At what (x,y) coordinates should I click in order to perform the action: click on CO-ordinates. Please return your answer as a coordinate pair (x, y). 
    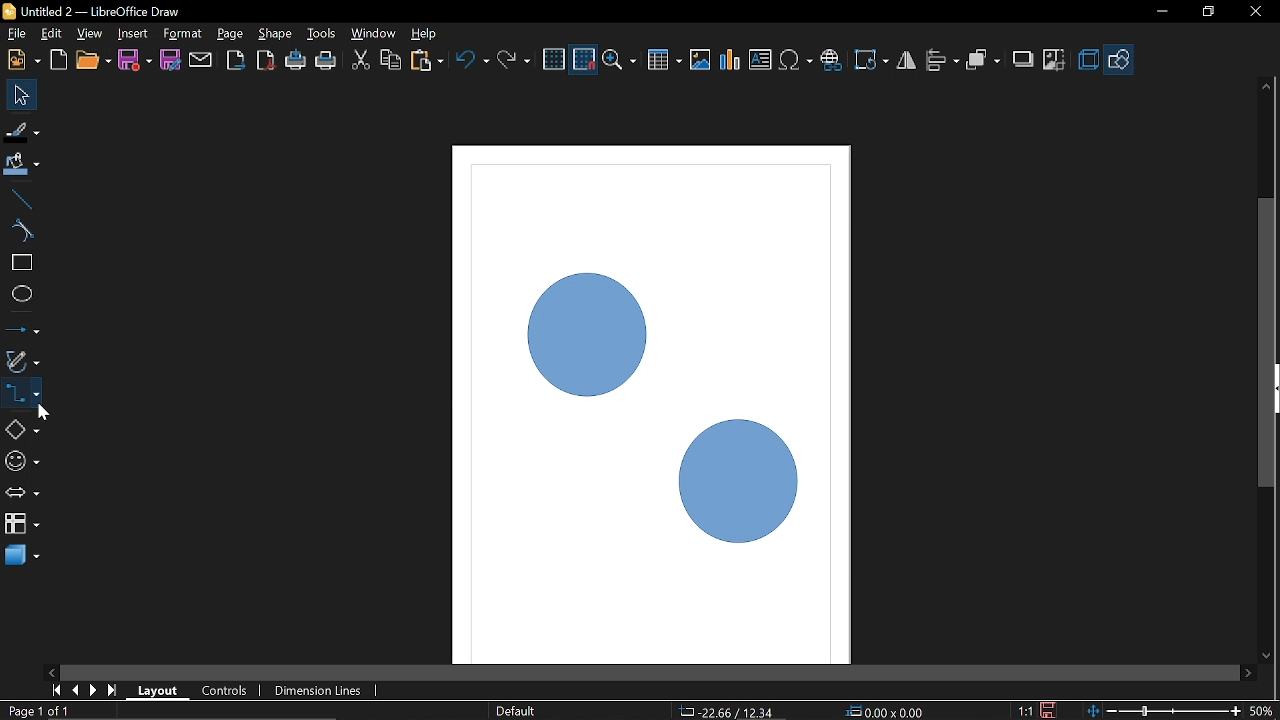
    Looking at the image, I should click on (730, 711).